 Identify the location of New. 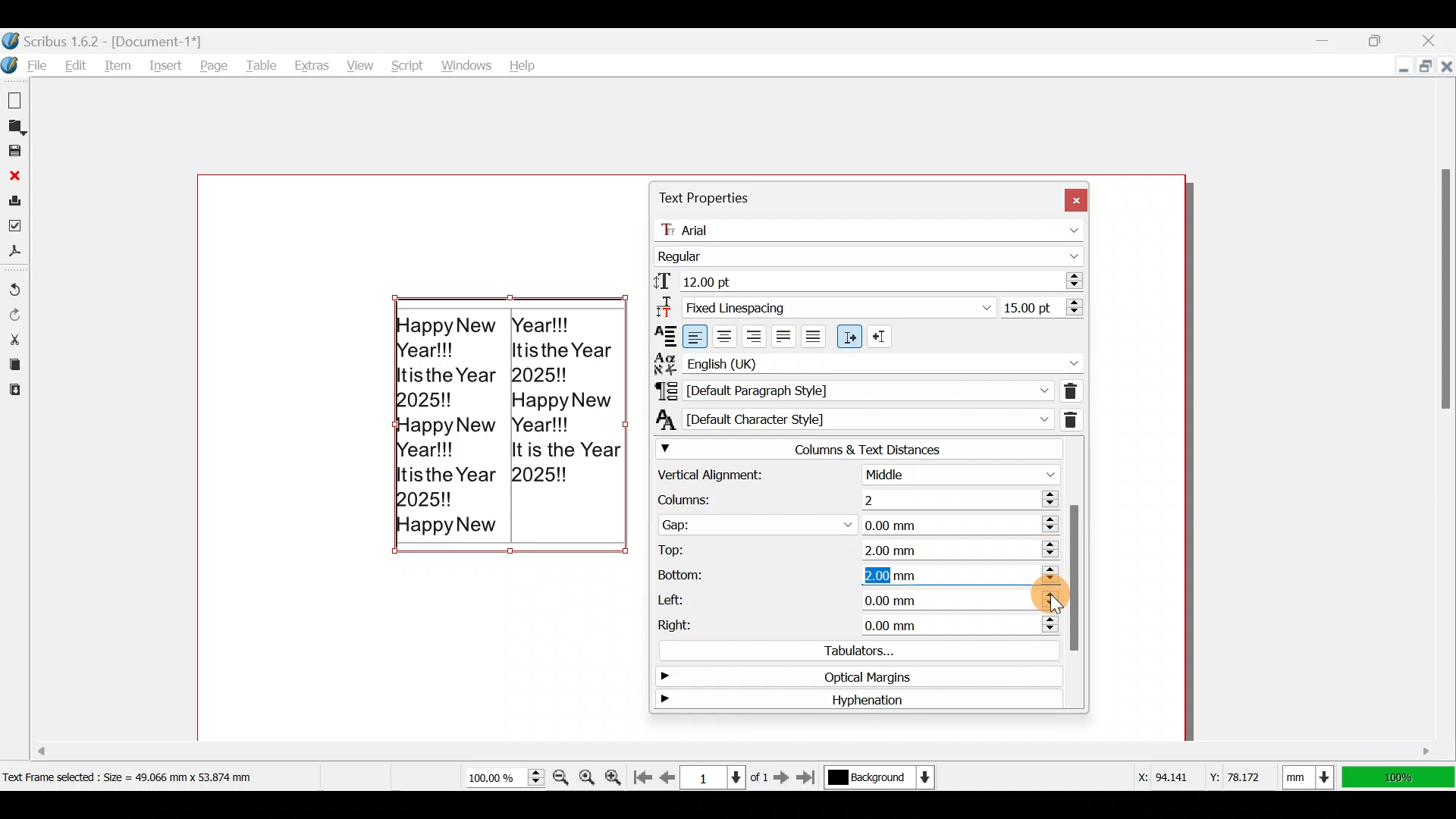
(17, 99).